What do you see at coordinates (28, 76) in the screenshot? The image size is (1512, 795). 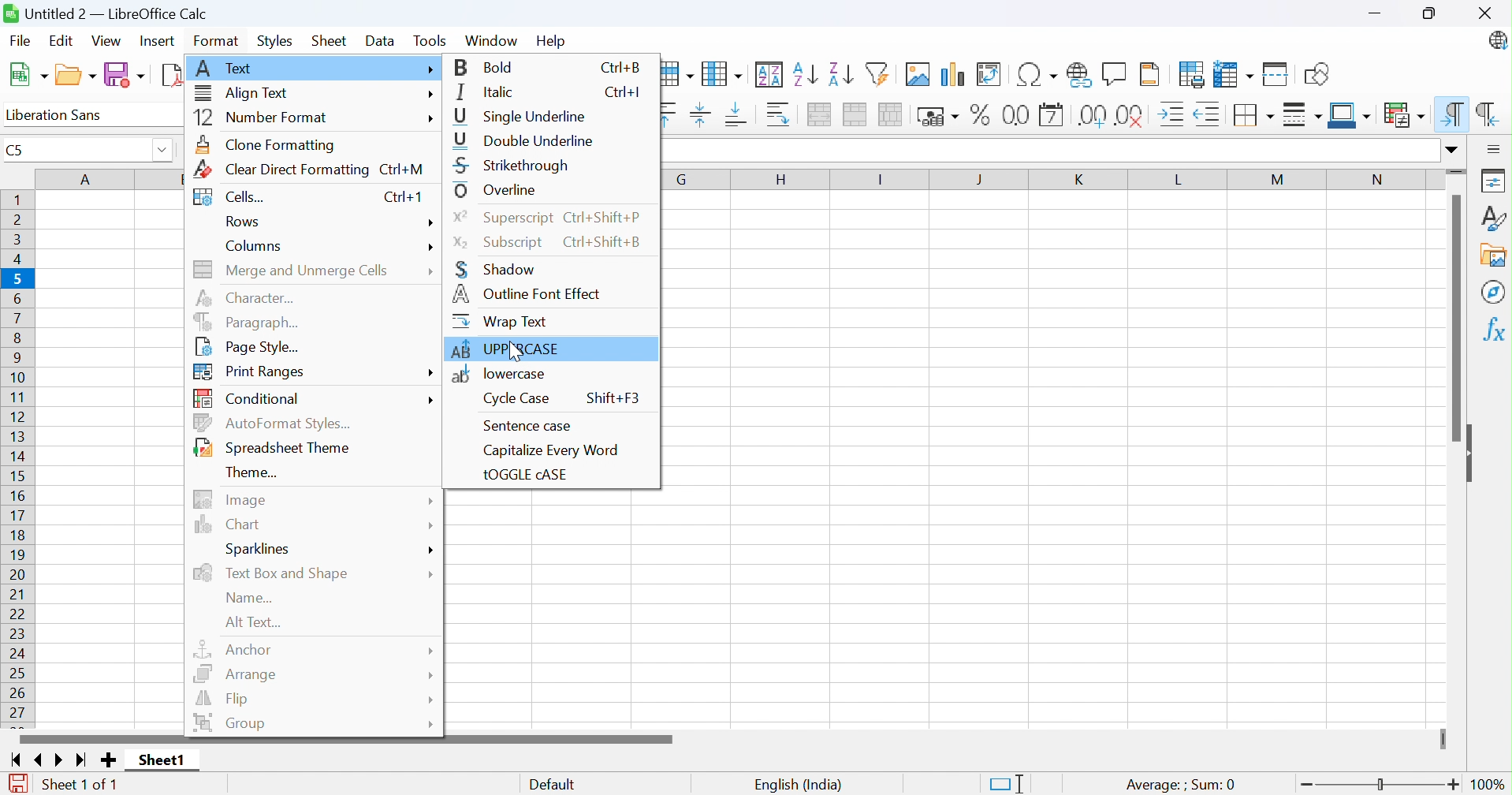 I see `New` at bounding box center [28, 76].